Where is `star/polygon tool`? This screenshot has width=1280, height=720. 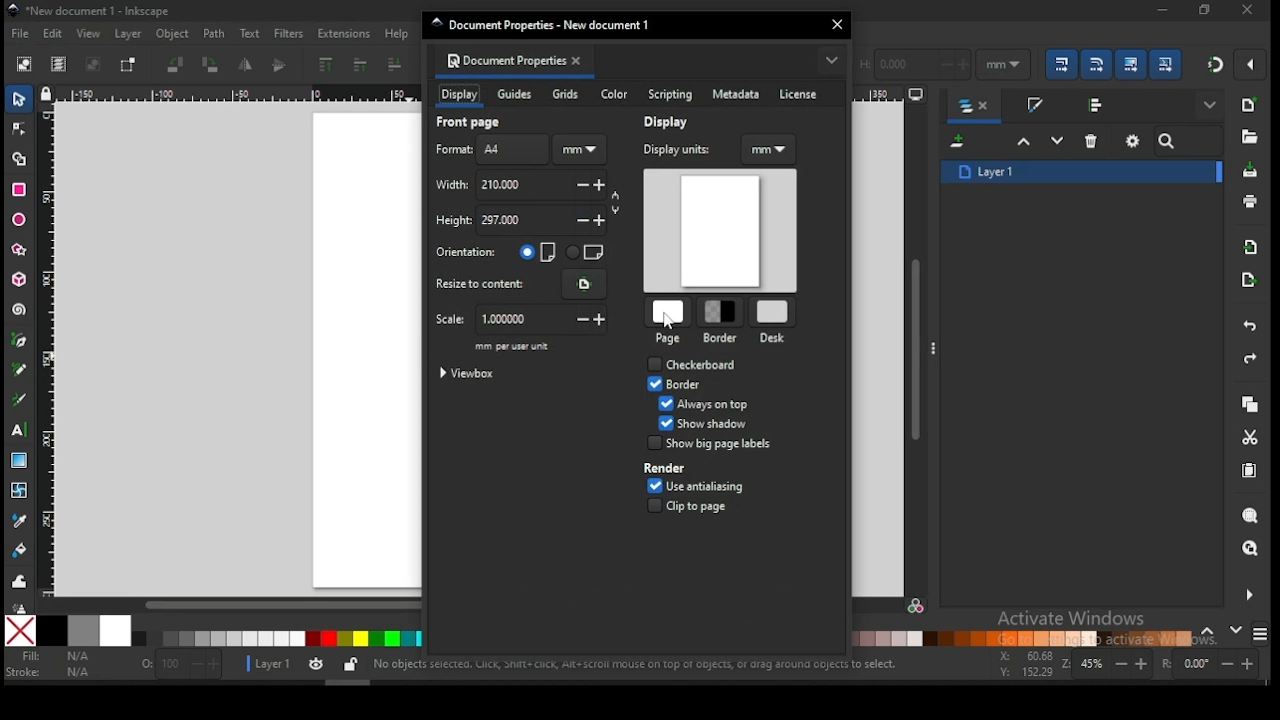 star/polygon tool is located at coordinates (20, 250).